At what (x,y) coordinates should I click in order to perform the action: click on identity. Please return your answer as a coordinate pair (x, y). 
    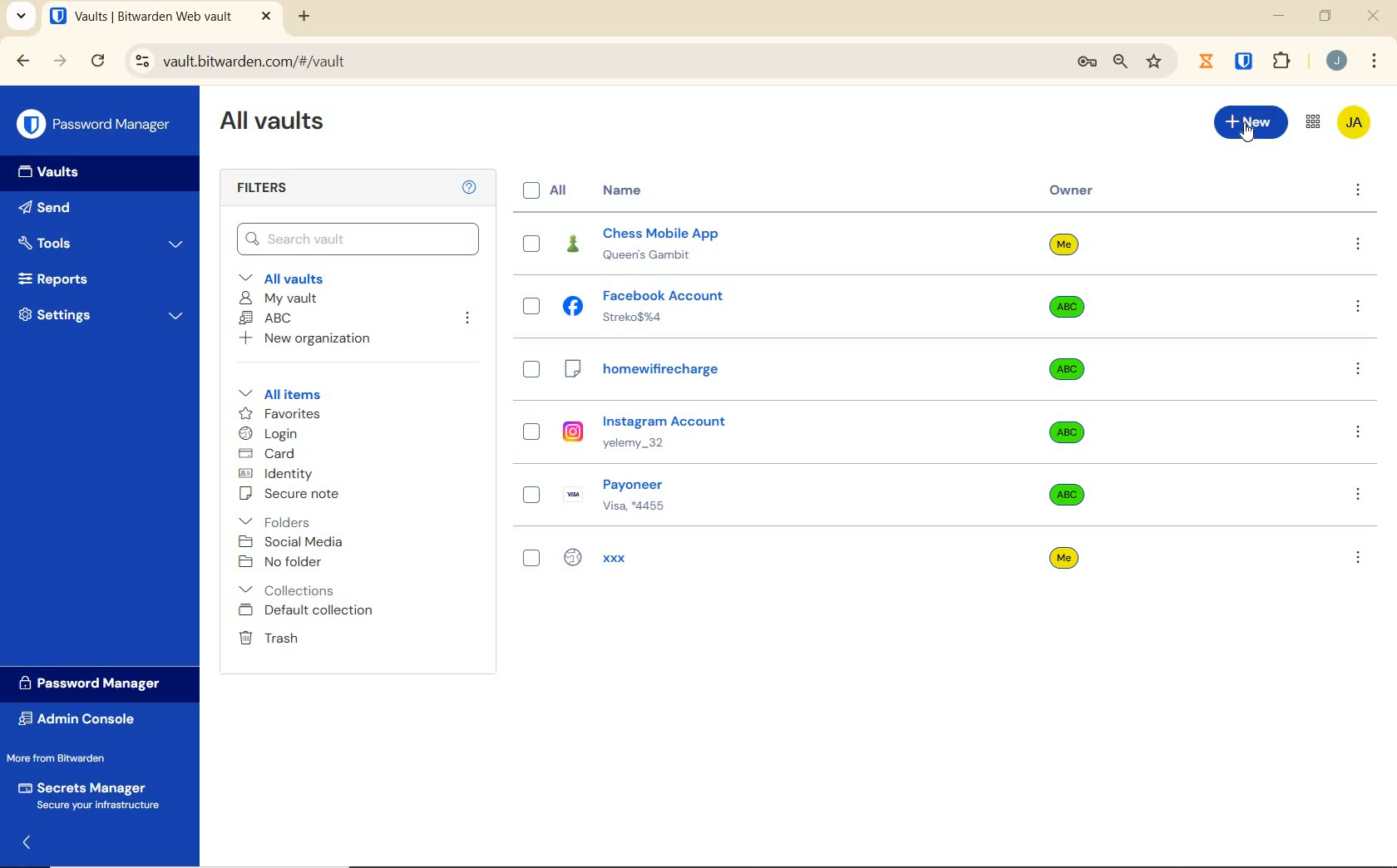
    Looking at the image, I should click on (286, 474).